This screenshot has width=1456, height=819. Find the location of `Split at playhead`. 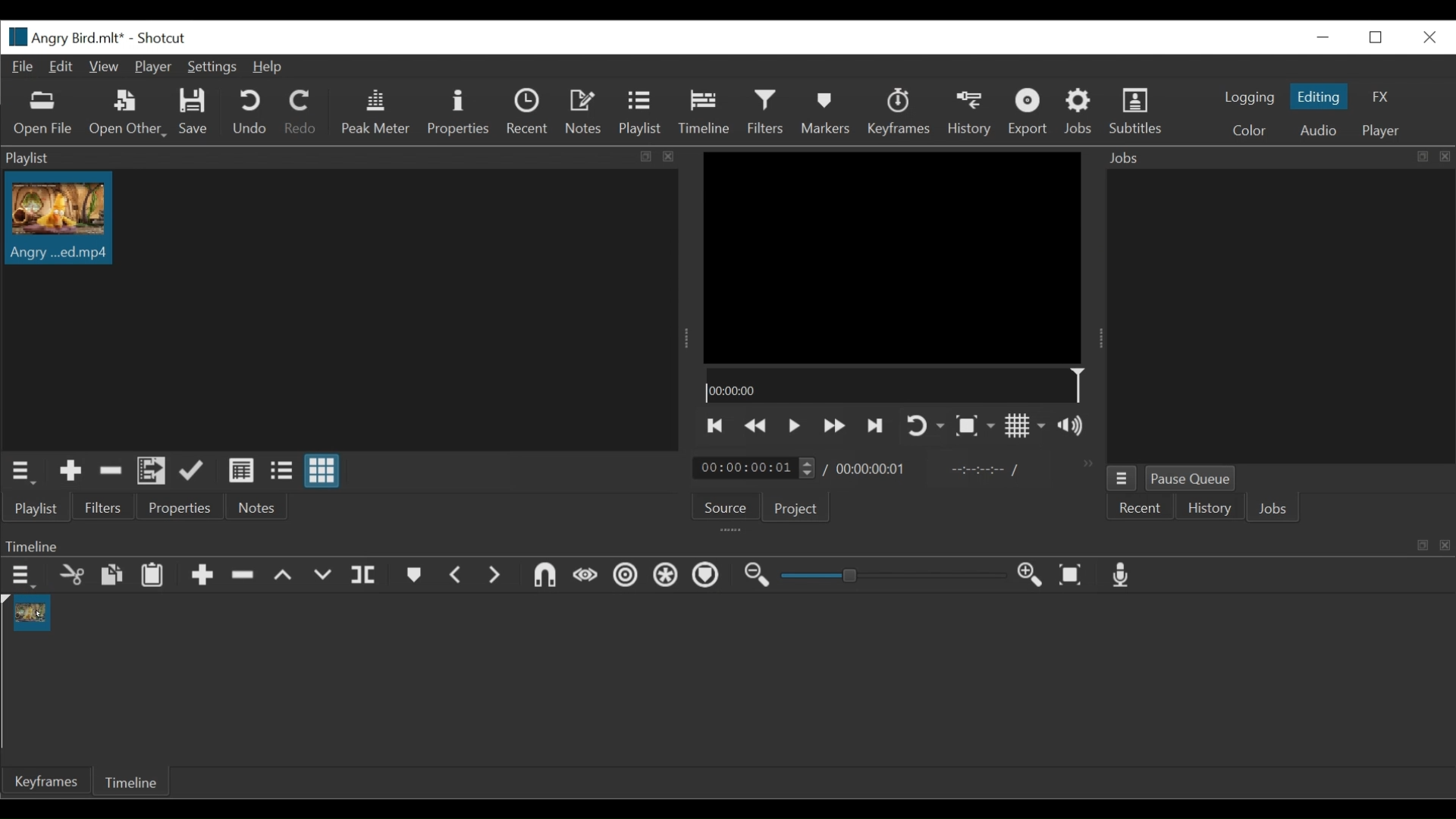

Split at playhead is located at coordinates (365, 577).